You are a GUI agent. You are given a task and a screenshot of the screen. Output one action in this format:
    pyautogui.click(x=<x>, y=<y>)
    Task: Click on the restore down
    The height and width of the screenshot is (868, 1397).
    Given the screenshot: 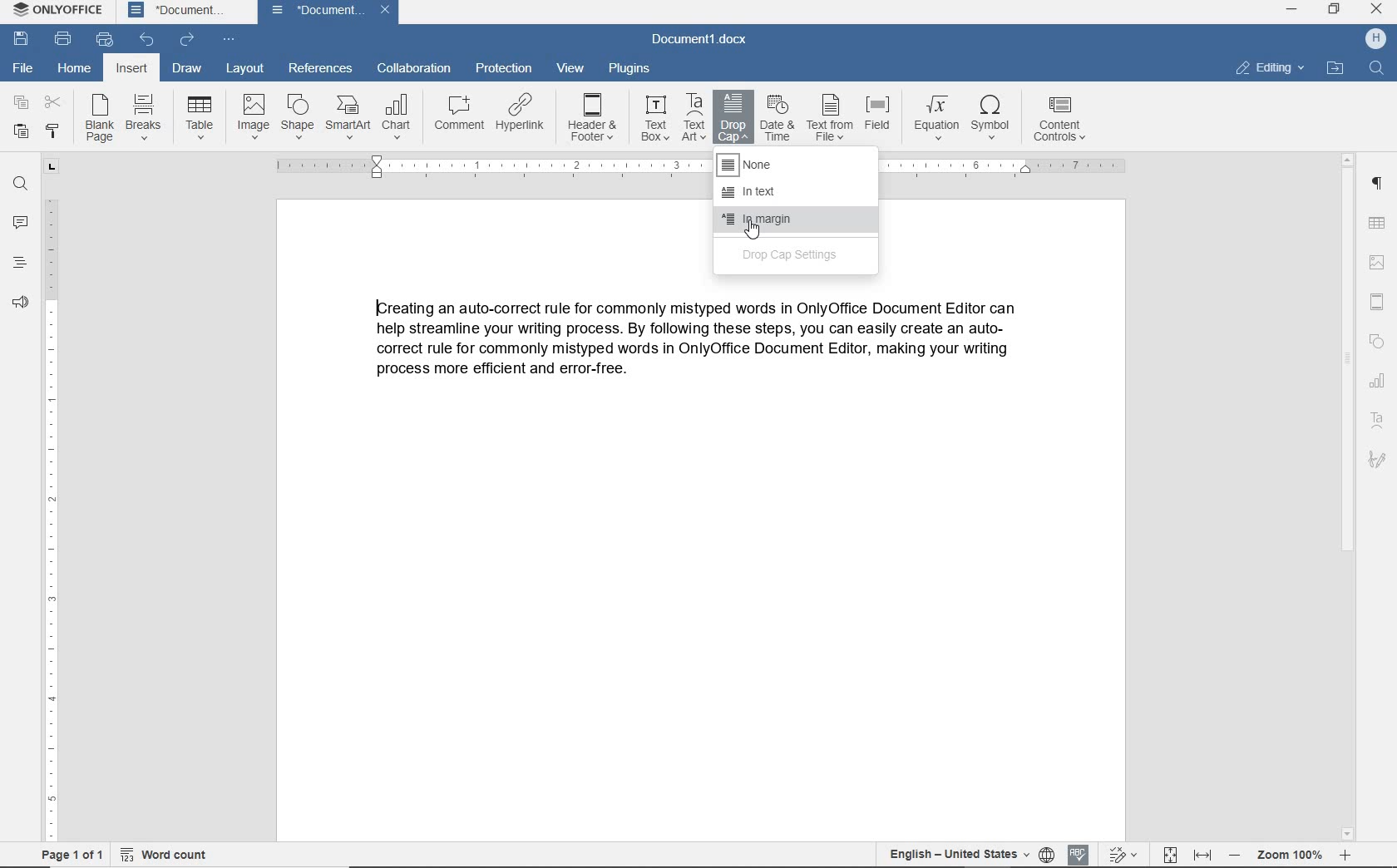 What is the action you would take?
    pyautogui.click(x=1335, y=11)
    